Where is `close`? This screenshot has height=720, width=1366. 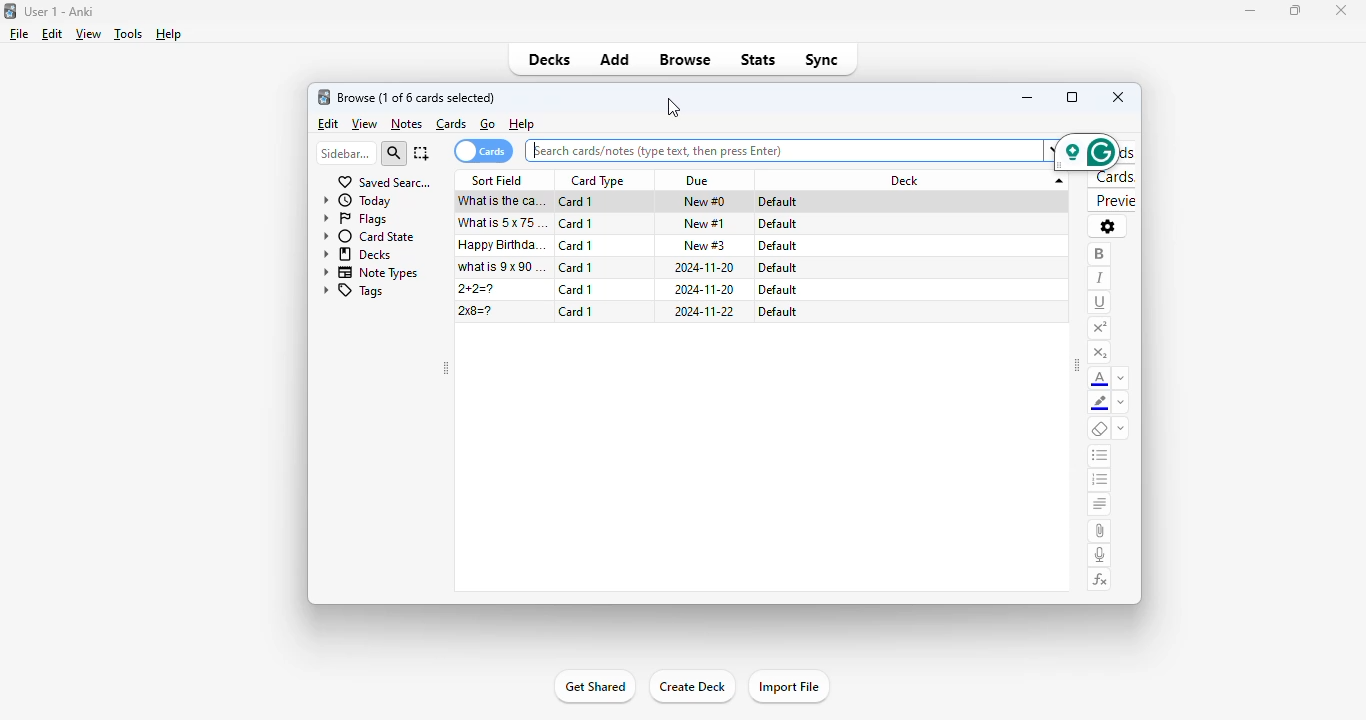
close is located at coordinates (1340, 9).